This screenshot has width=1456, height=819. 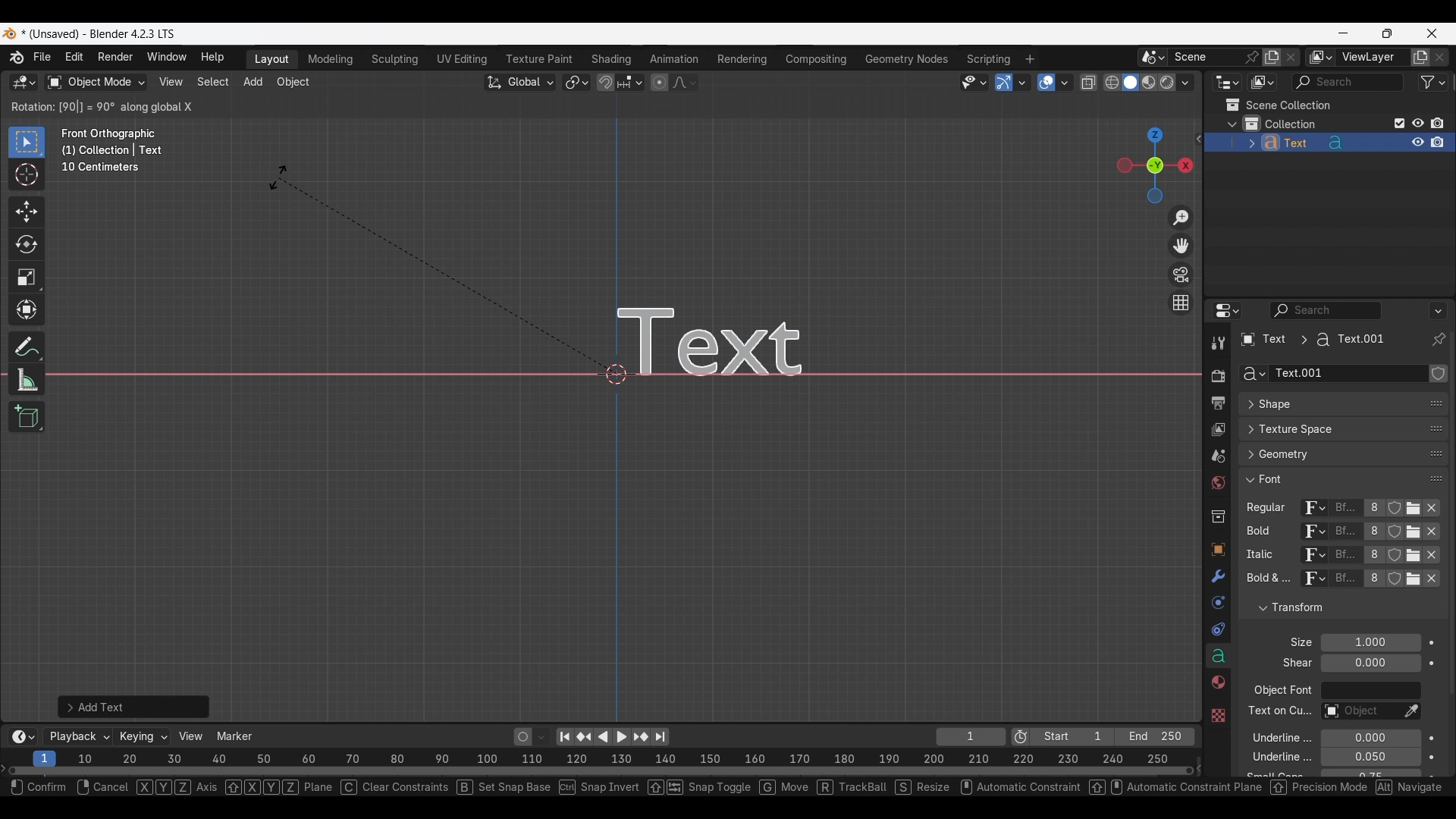 What do you see at coordinates (1370, 758) in the screenshot?
I see `Underline Thickness` at bounding box center [1370, 758].